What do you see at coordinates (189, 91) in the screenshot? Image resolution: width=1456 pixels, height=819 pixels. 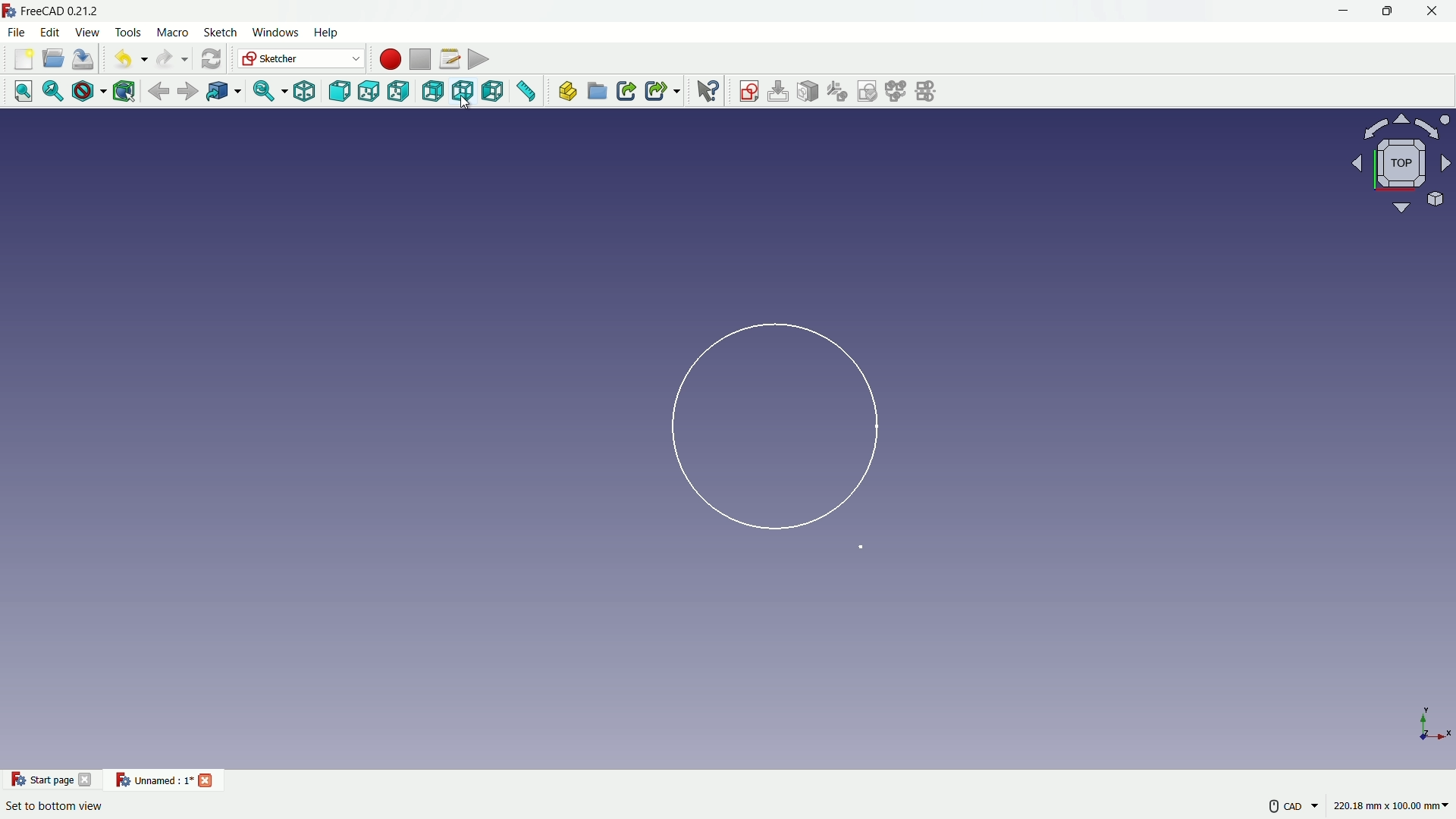 I see `forward` at bounding box center [189, 91].